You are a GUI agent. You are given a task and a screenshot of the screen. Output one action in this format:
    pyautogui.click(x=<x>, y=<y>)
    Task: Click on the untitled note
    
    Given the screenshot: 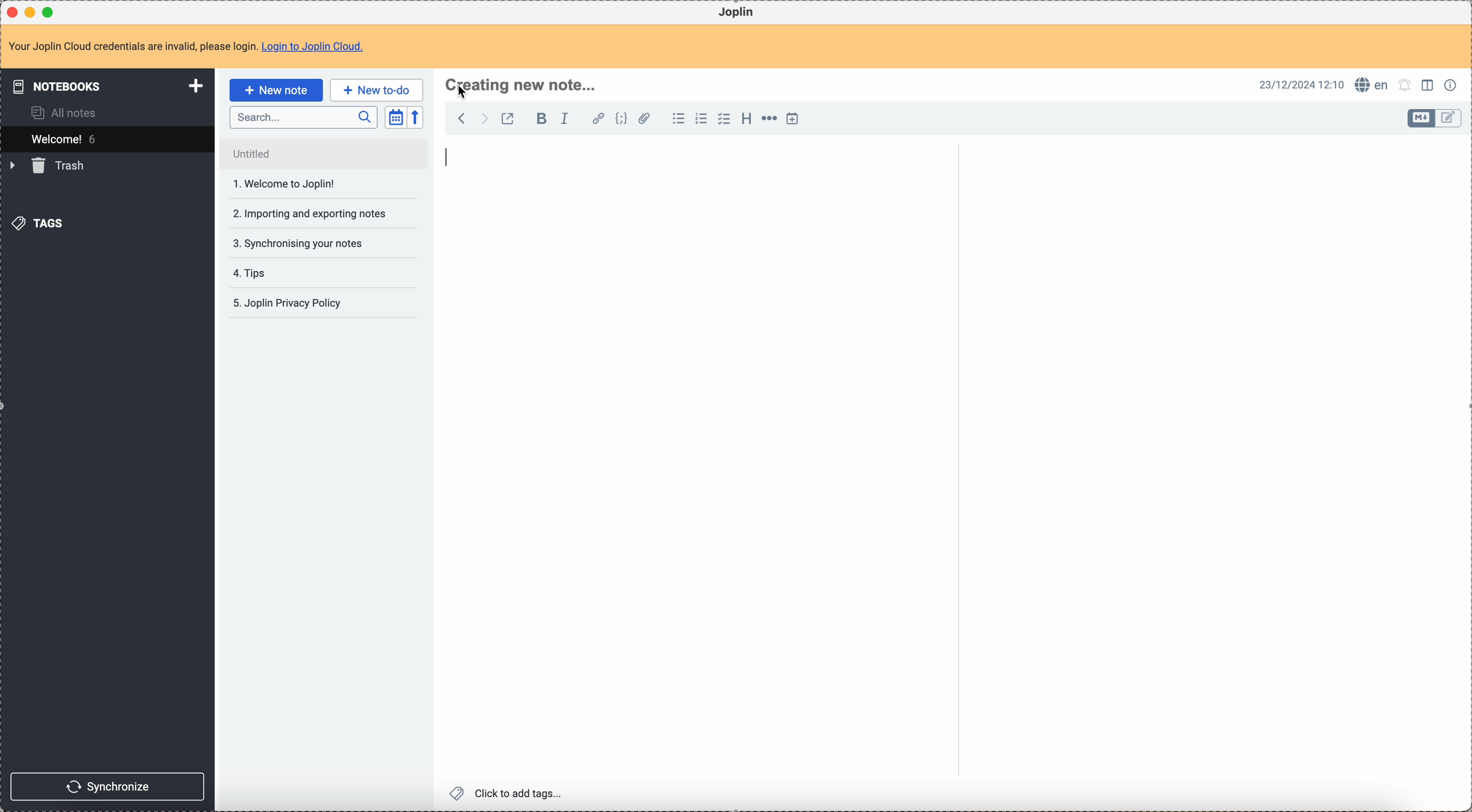 What is the action you would take?
    pyautogui.click(x=323, y=154)
    